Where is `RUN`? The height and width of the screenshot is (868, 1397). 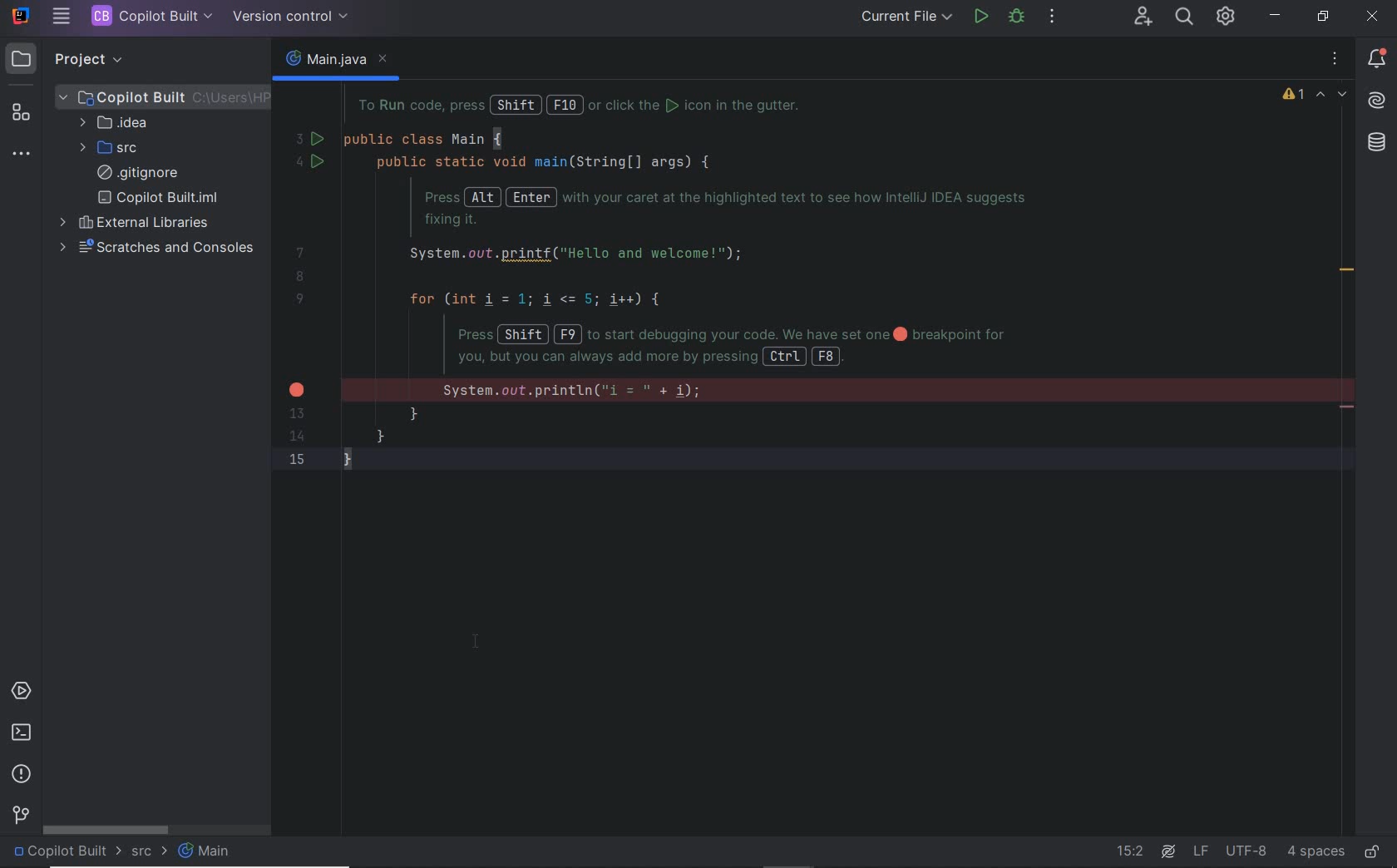 RUN is located at coordinates (980, 17).